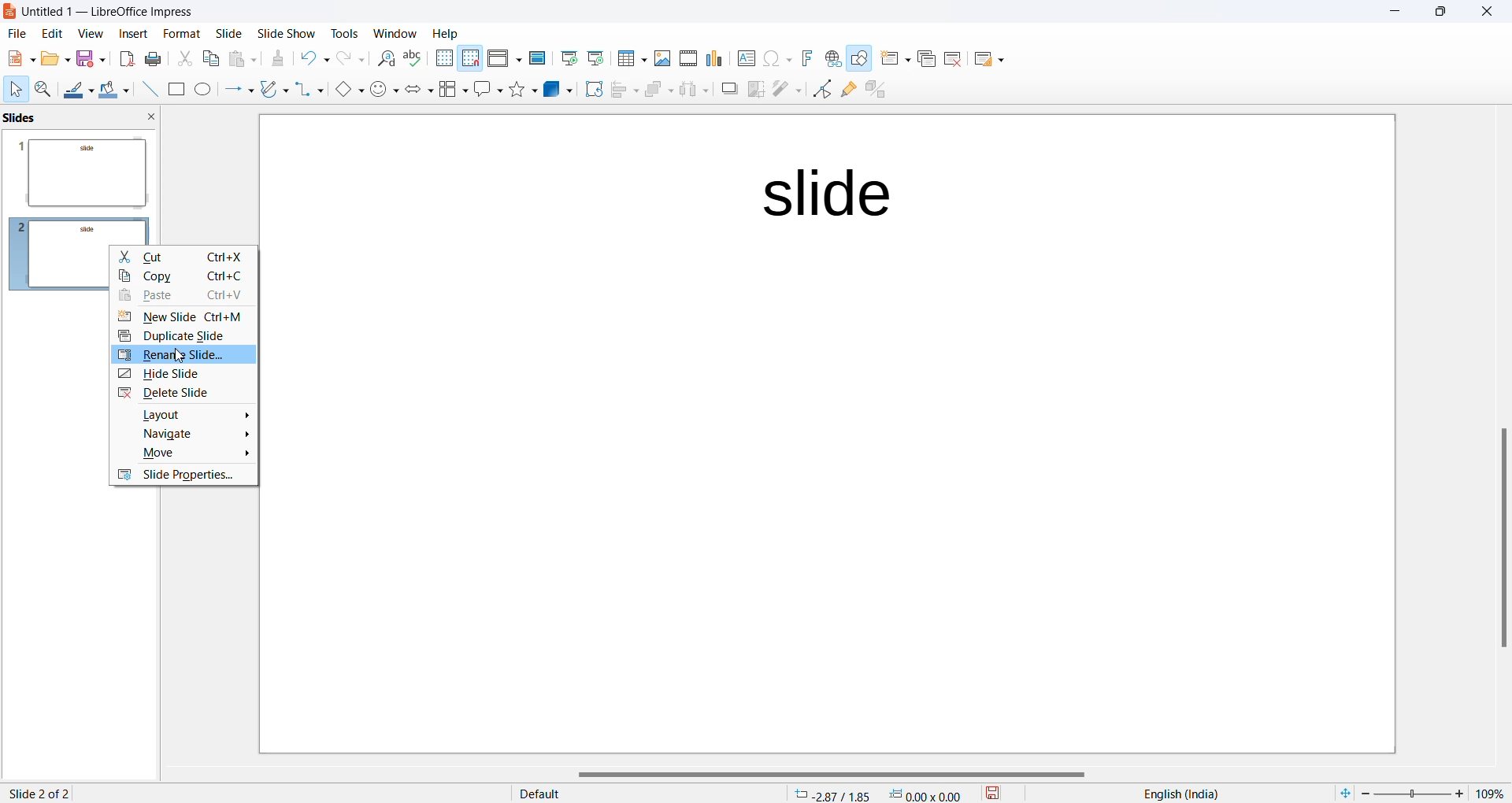  What do you see at coordinates (244, 58) in the screenshot?
I see `Paste options` at bounding box center [244, 58].